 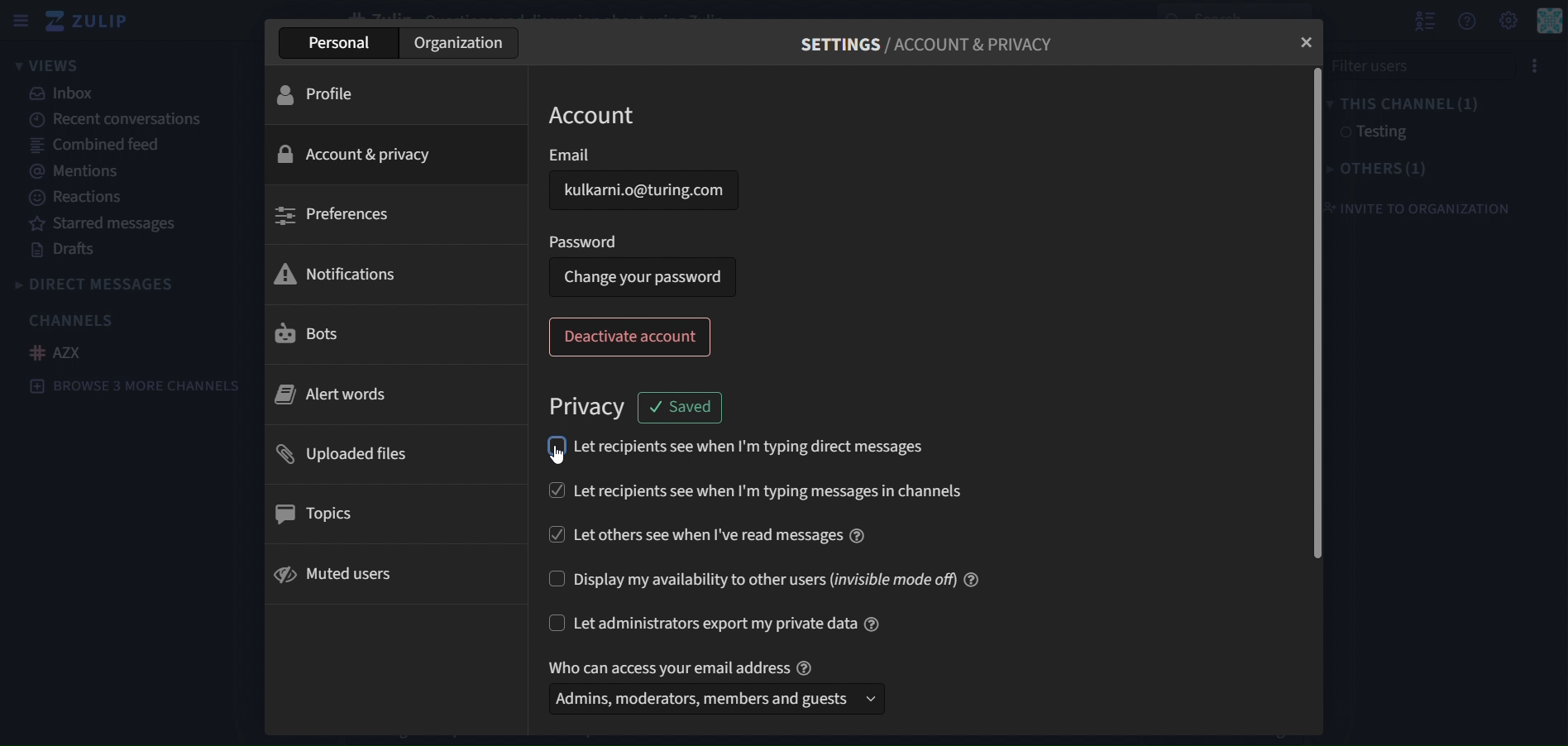 What do you see at coordinates (1294, 42) in the screenshot?
I see `close` at bounding box center [1294, 42].